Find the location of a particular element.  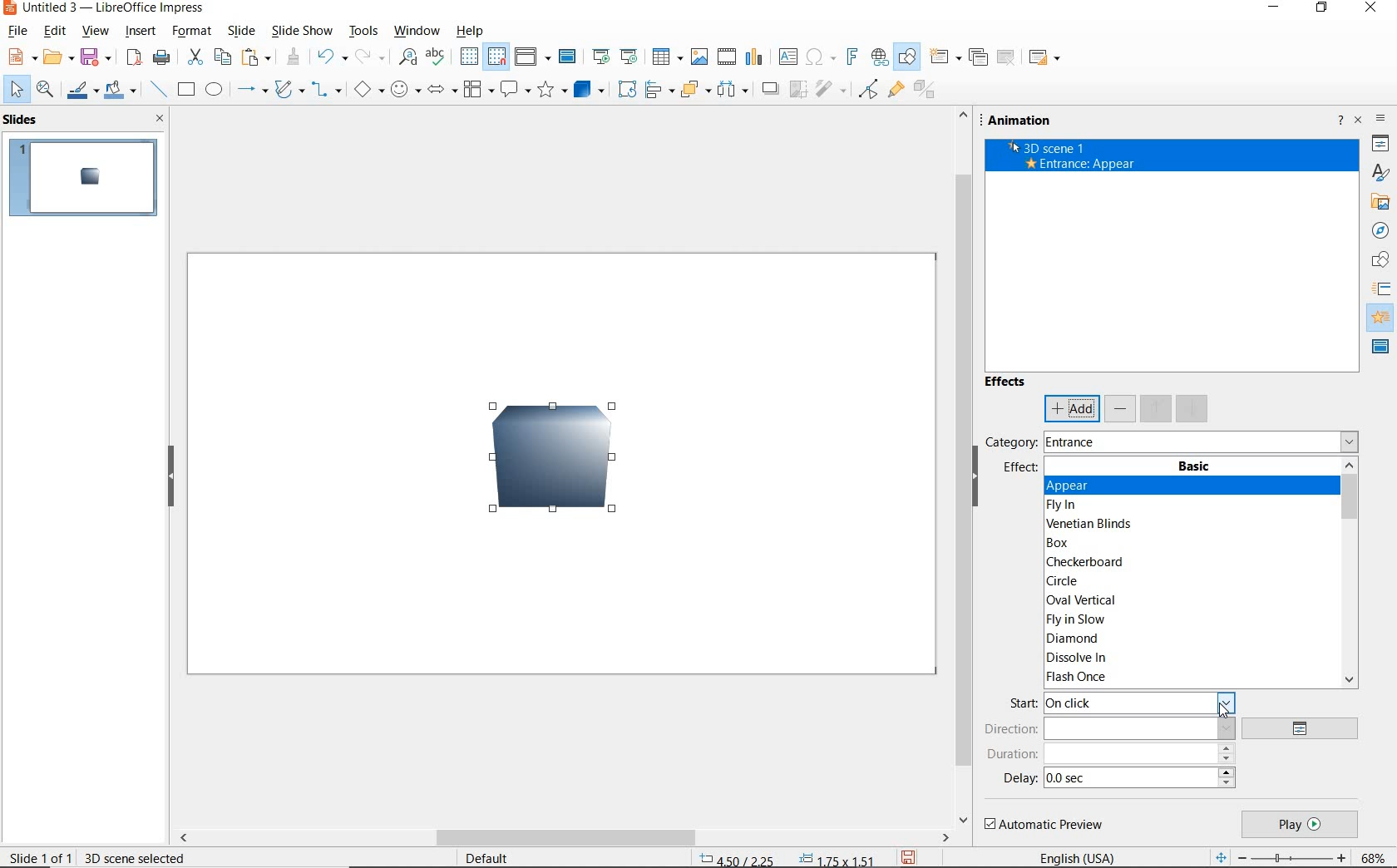

insert is located at coordinates (141, 32).